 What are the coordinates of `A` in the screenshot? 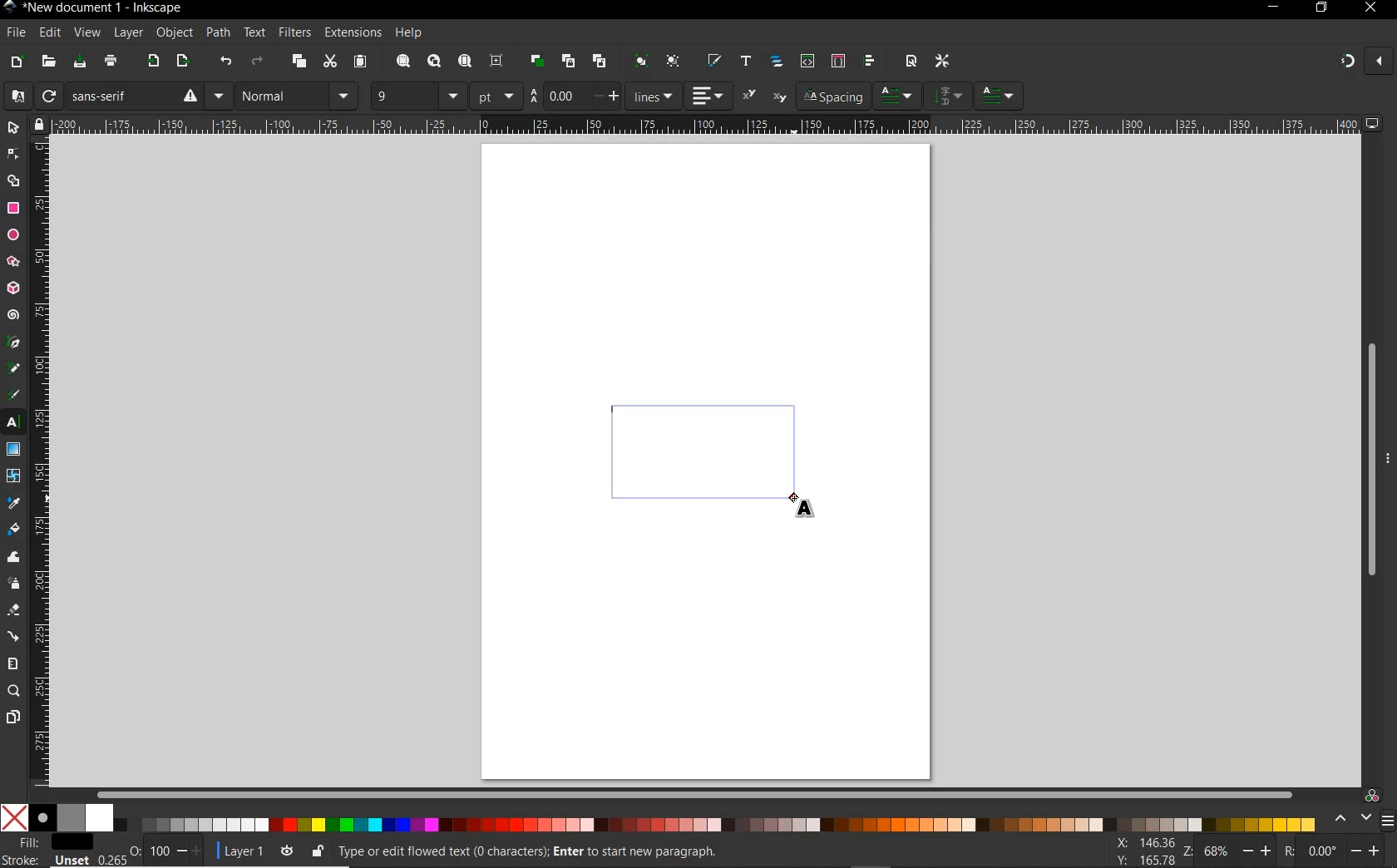 It's located at (14, 96).